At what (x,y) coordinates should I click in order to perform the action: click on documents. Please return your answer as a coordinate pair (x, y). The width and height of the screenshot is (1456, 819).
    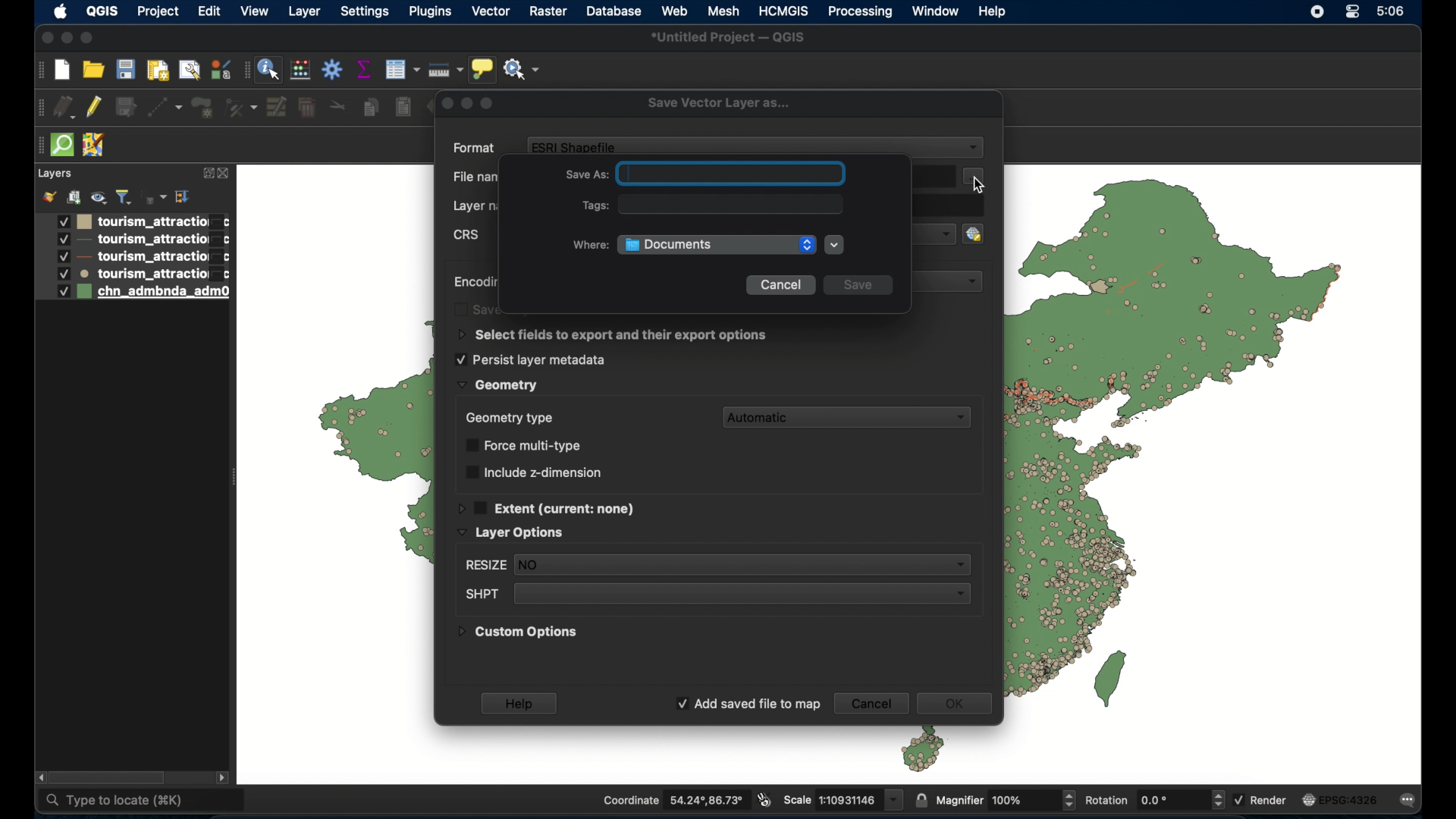
    Looking at the image, I should click on (716, 244).